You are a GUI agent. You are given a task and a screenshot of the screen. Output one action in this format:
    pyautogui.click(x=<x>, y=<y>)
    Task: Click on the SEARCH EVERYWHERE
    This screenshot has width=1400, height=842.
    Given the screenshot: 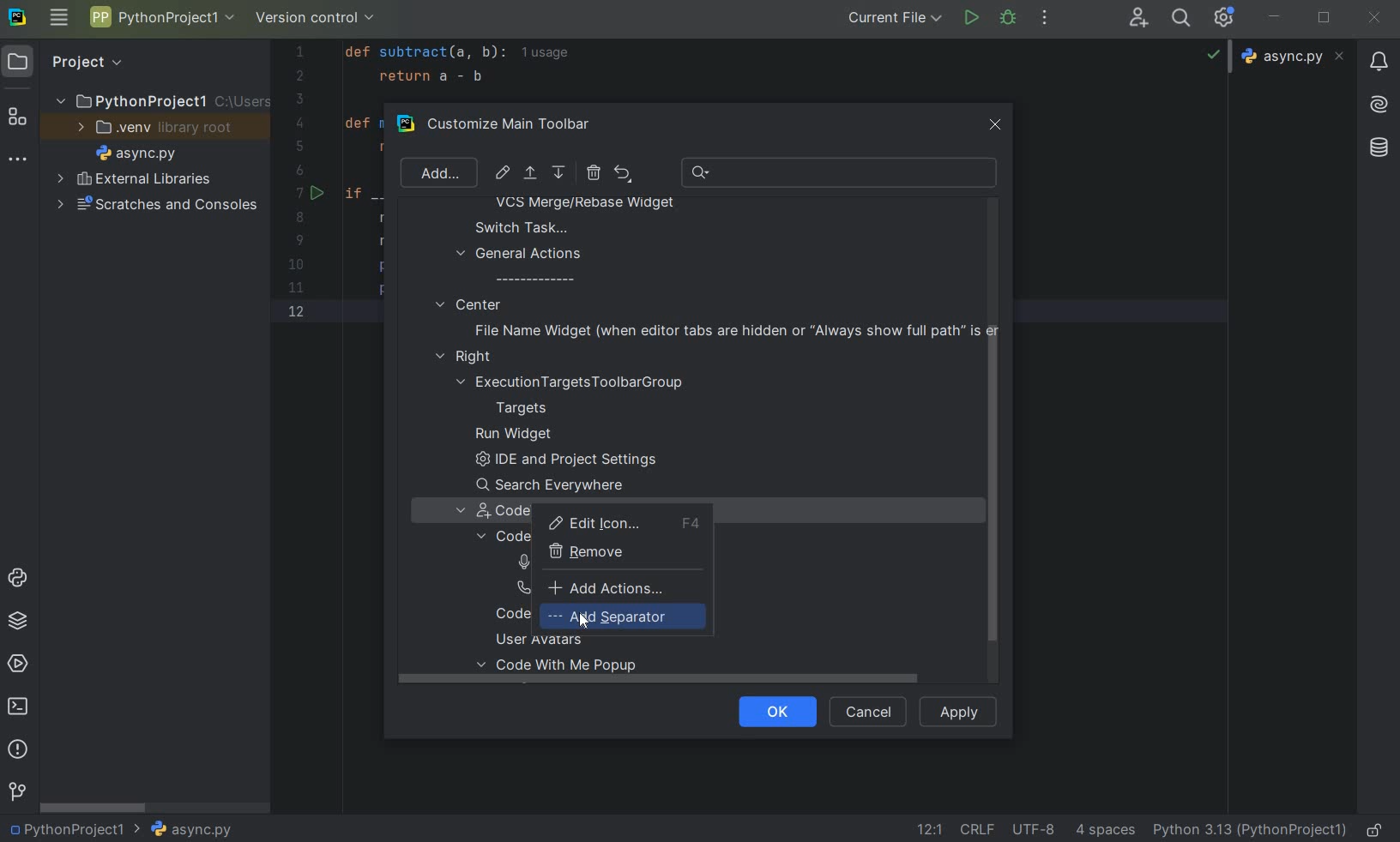 What is the action you would take?
    pyautogui.click(x=1185, y=18)
    